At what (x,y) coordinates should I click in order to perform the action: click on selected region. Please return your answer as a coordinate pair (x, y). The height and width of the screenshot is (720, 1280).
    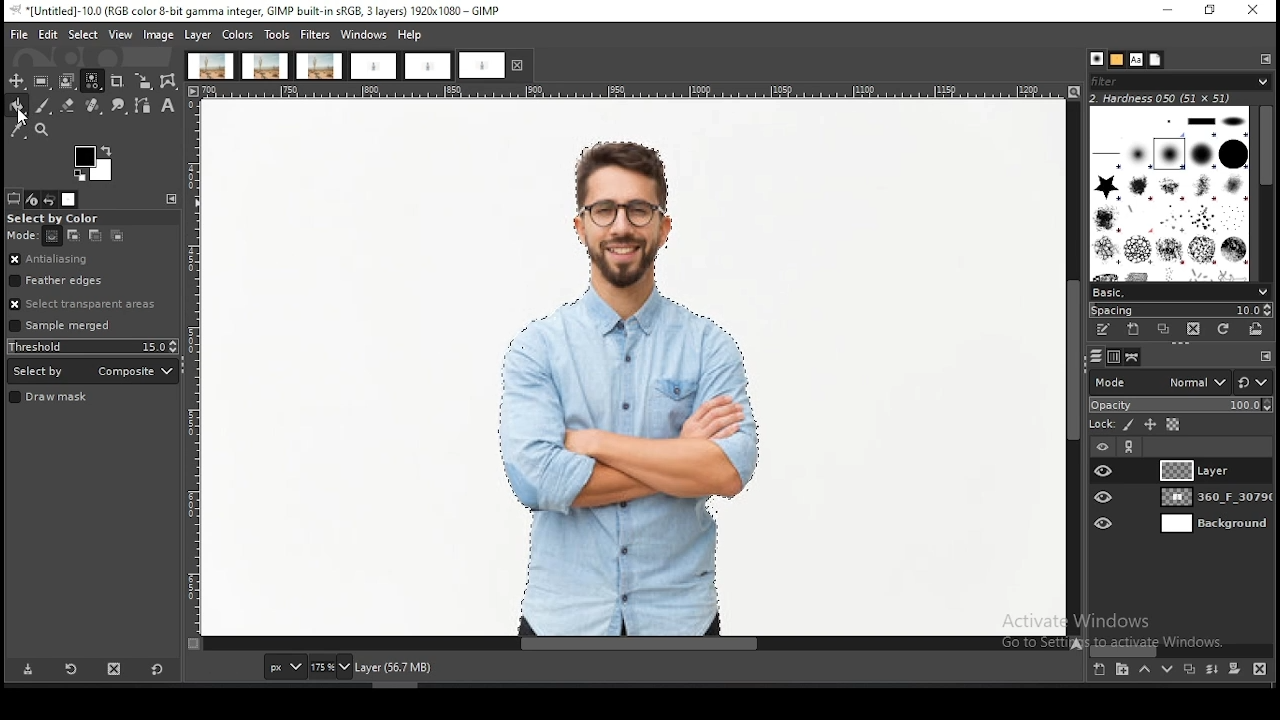
    Looking at the image, I should click on (632, 380).